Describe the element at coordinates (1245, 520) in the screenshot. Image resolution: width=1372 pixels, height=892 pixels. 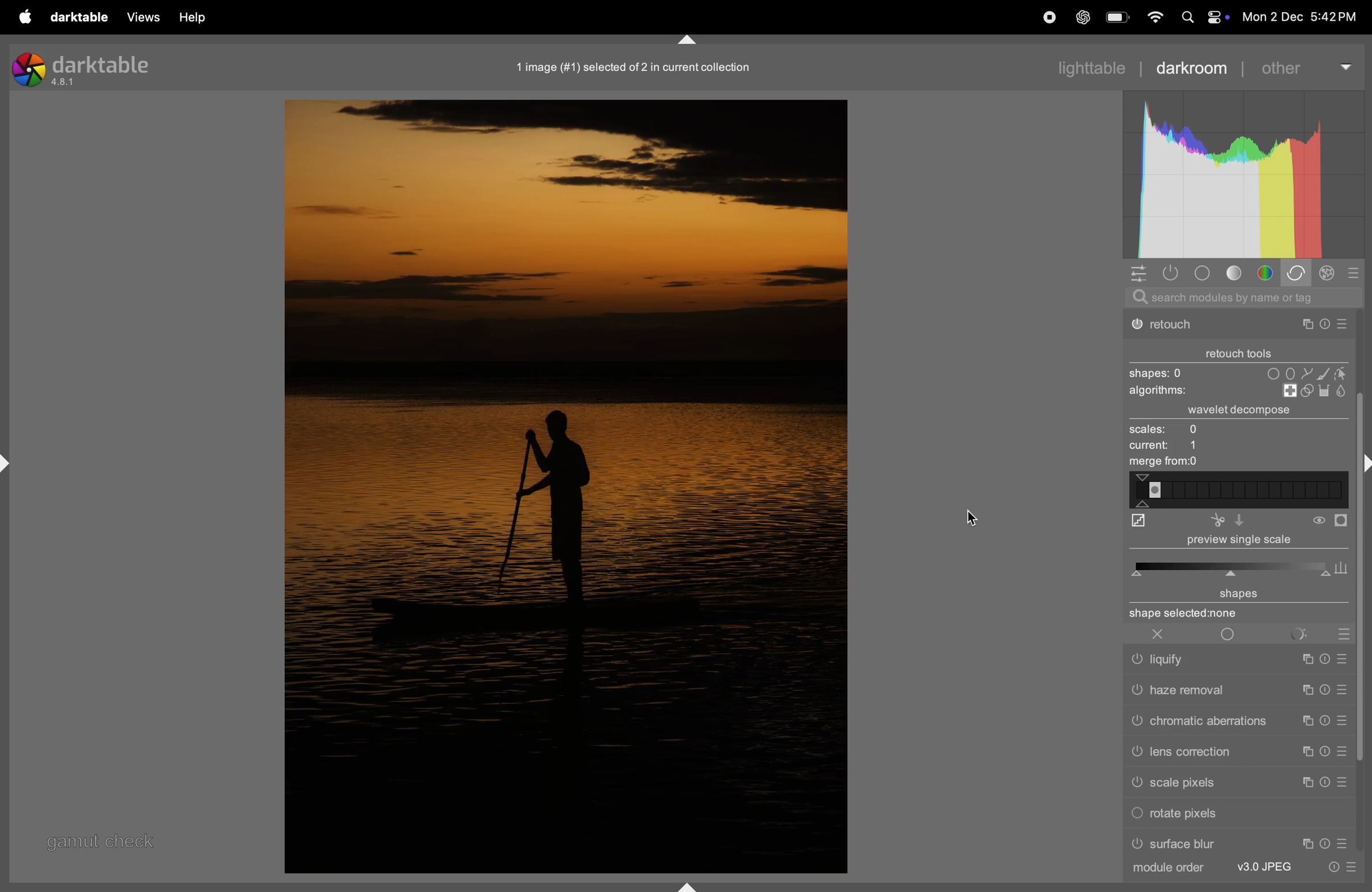
I see `cut` at that location.